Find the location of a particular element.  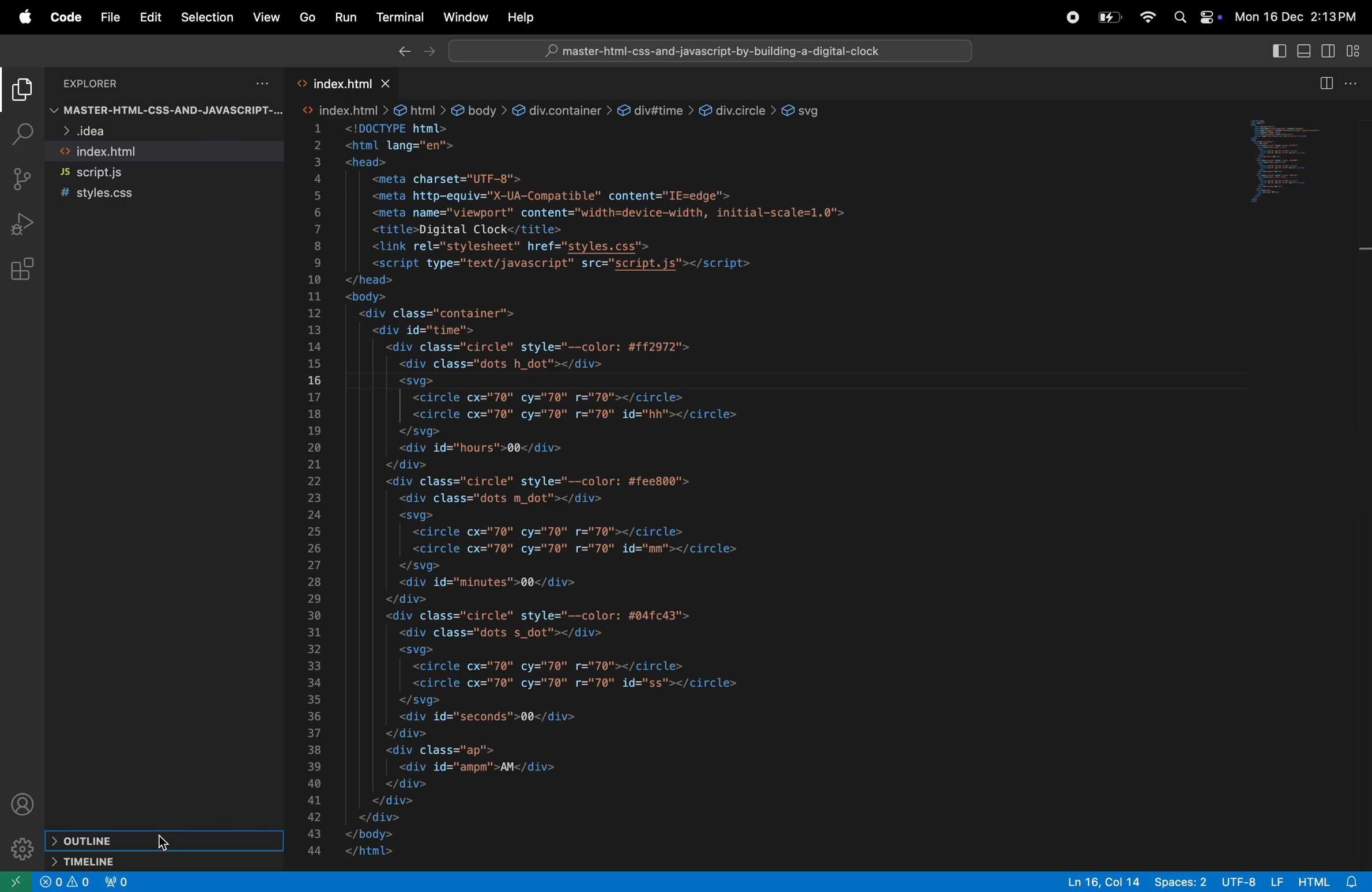

div is located at coordinates (738, 112).